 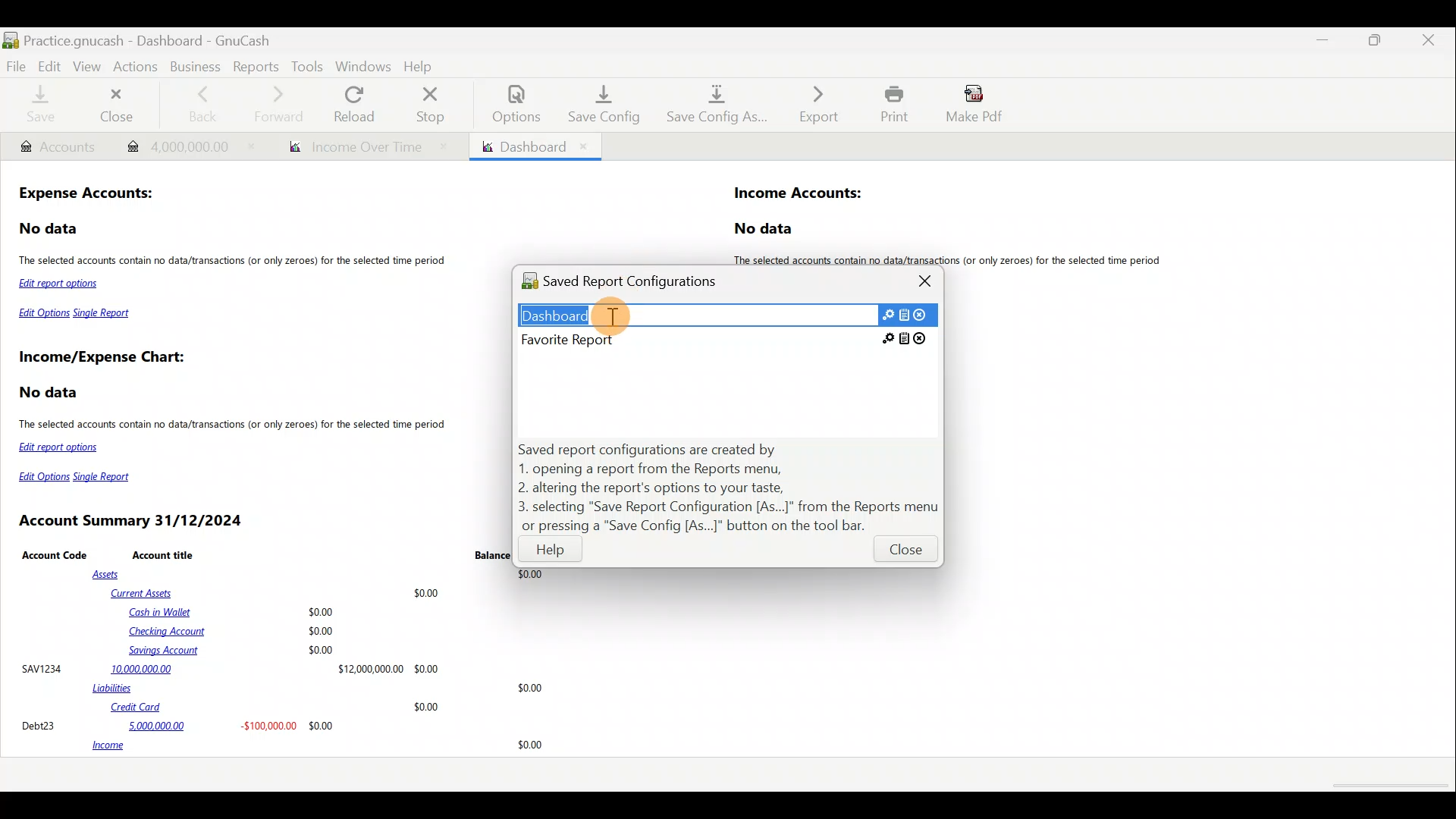 What do you see at coordinates (1429, 42) in the screenshot?
I see `Close` at bounding box center [1429, 42].